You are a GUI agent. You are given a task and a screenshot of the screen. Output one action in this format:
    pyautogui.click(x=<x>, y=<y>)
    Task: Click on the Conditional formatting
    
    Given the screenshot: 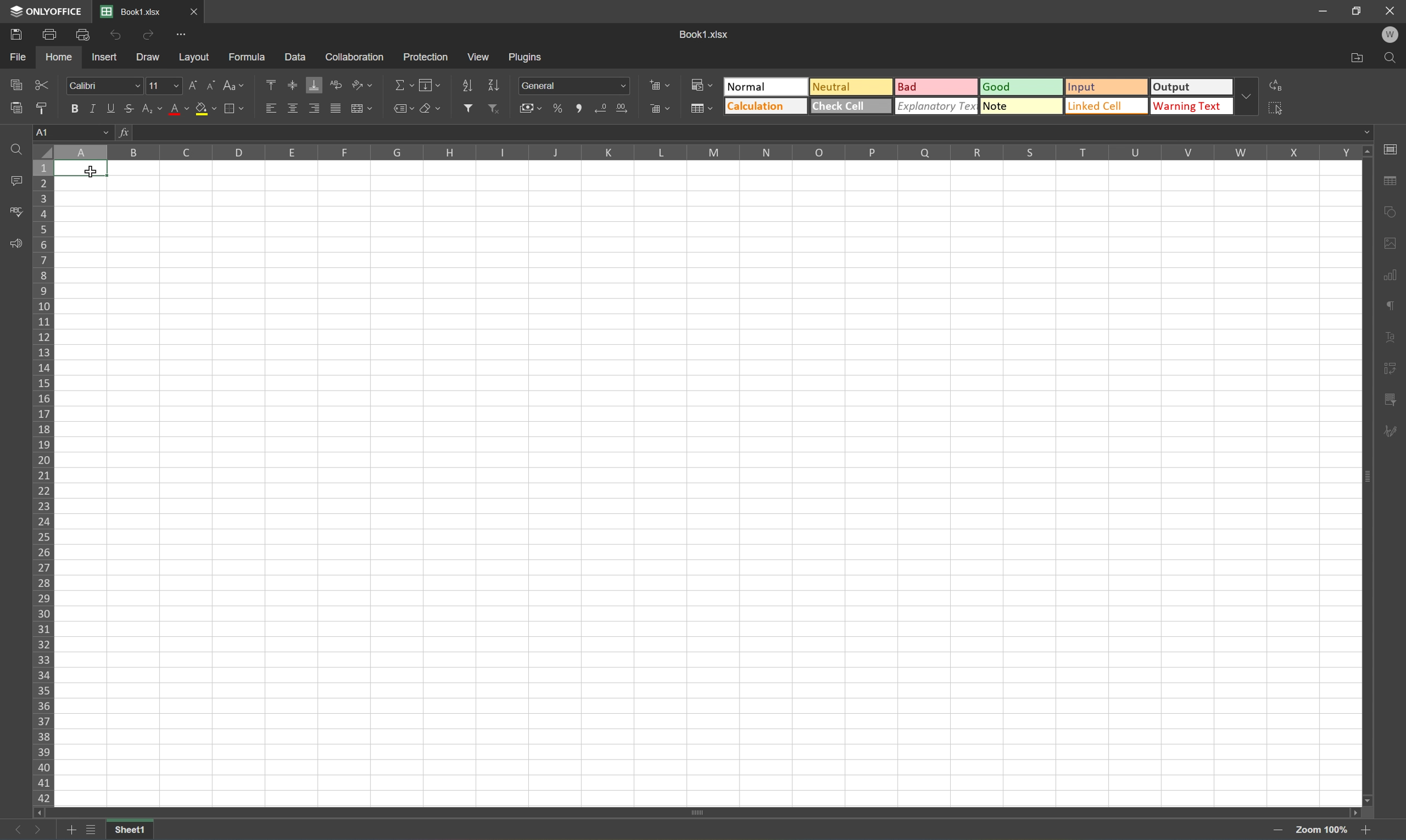 What is the action you would take?
    pyautogui.click(x=702, y=84)
    